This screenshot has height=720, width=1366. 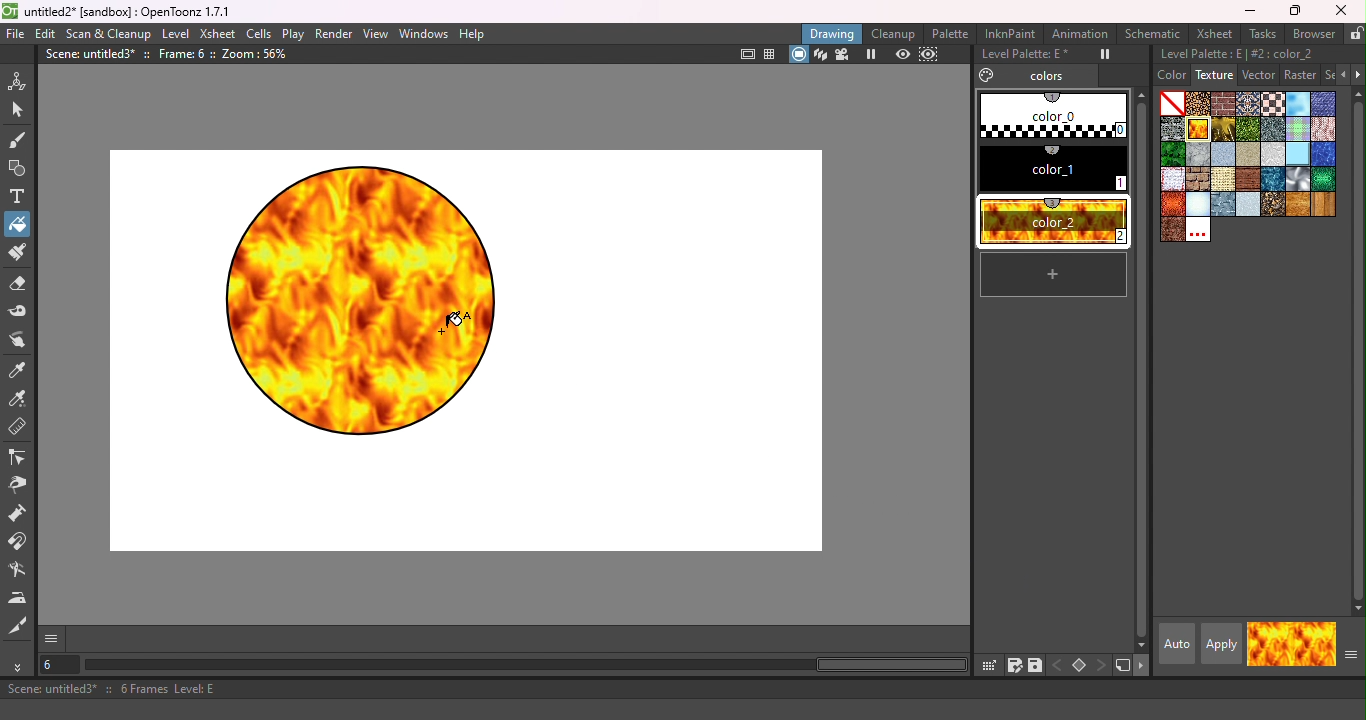 I want to click on papercrump.bmp, so click(x=1273, y=153).